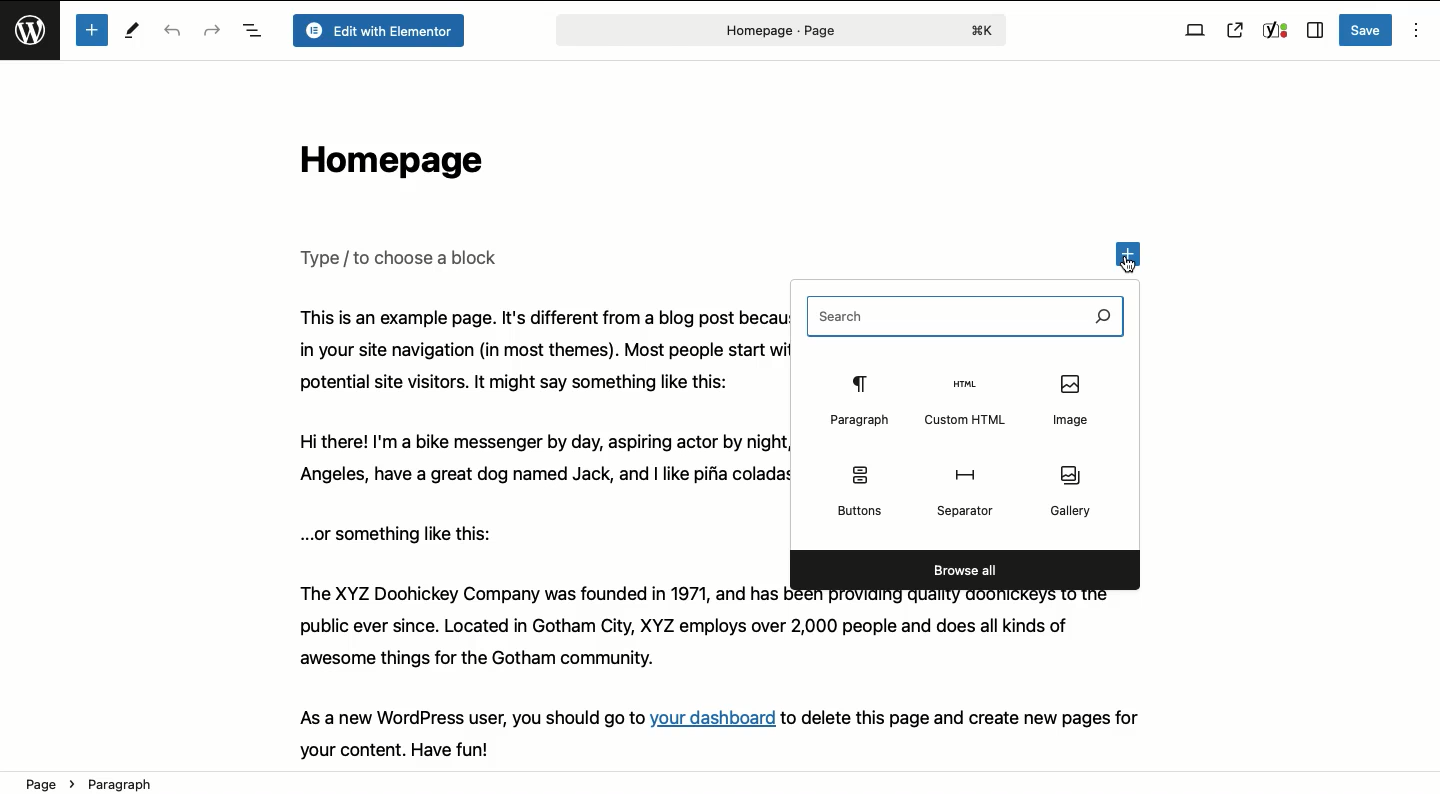 This screenshot has width=1440, height=794. What do you see at coordinates (1274, 31) in the screenshot?
I see `Yoast` at bounding box center [1274, 31].